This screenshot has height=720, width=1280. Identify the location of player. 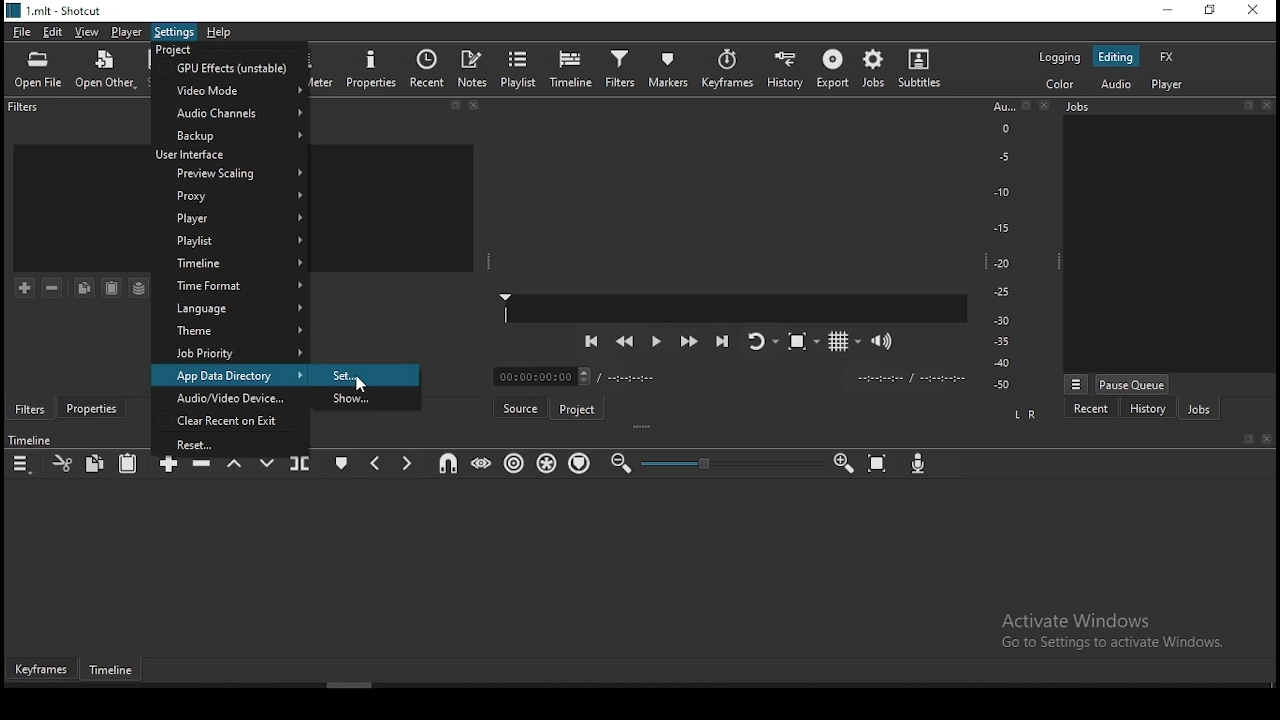
(1166, 85).